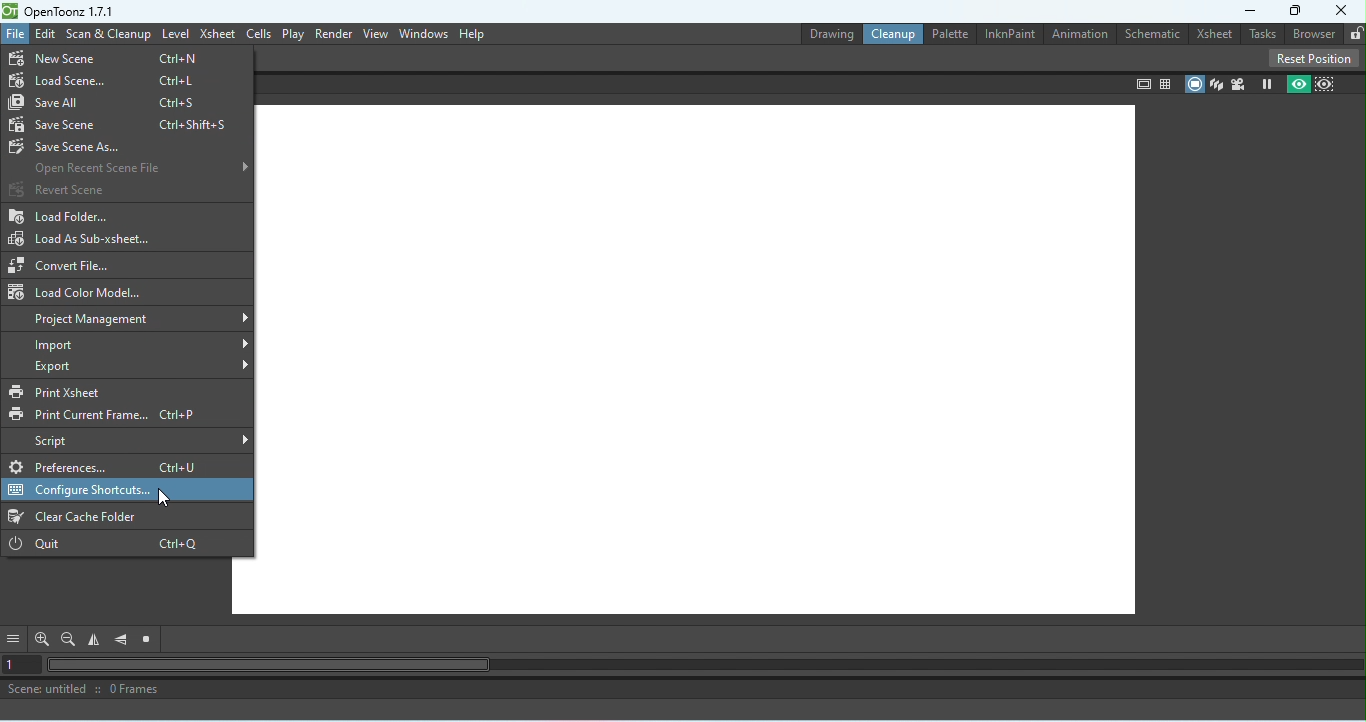  I want to click on Level, so click(175, 33).